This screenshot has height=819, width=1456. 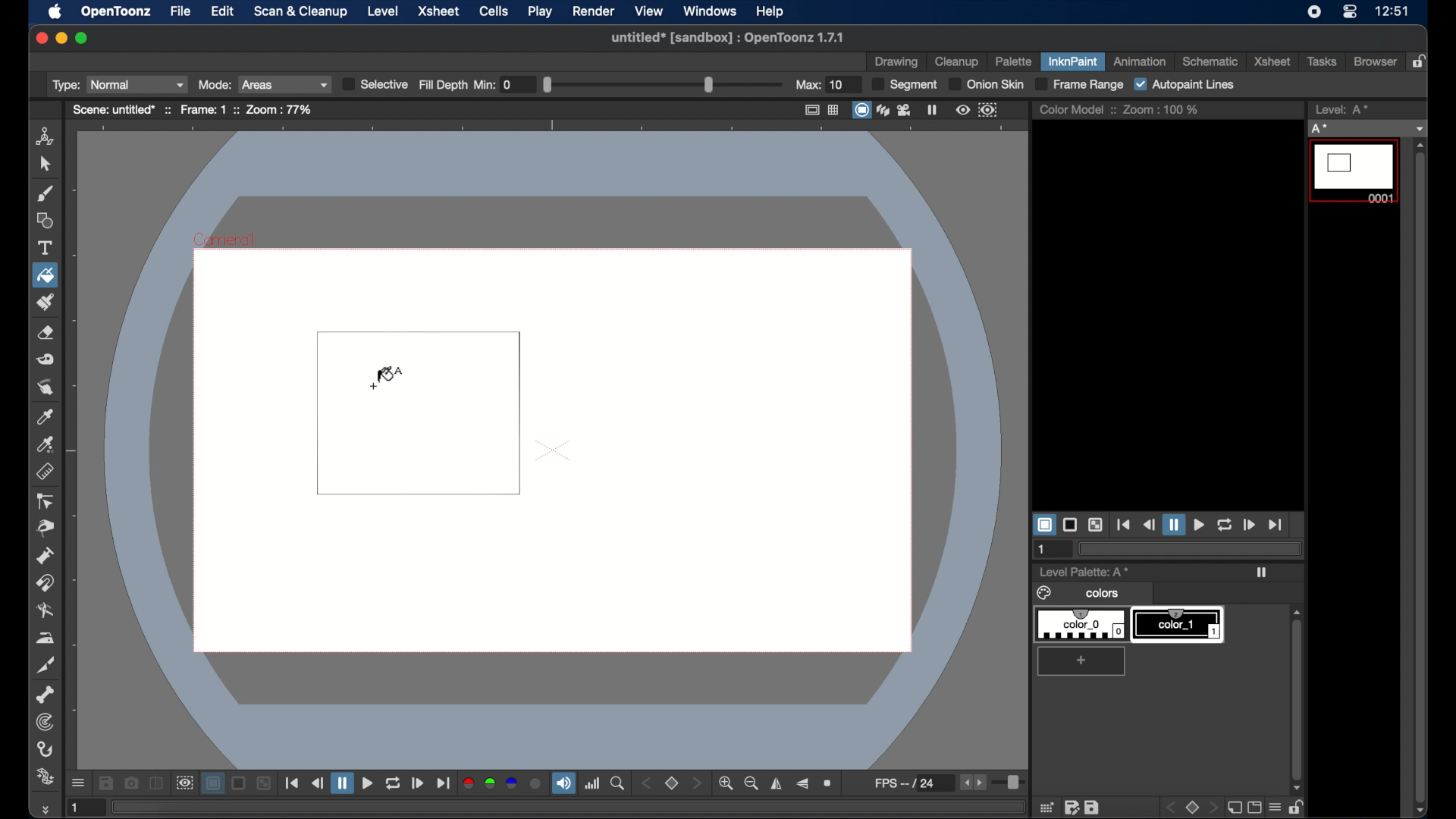 What do you see at coordinates (1078, 85) in the screenshot?
I see `frame range` at bounding box center [1078, 85].